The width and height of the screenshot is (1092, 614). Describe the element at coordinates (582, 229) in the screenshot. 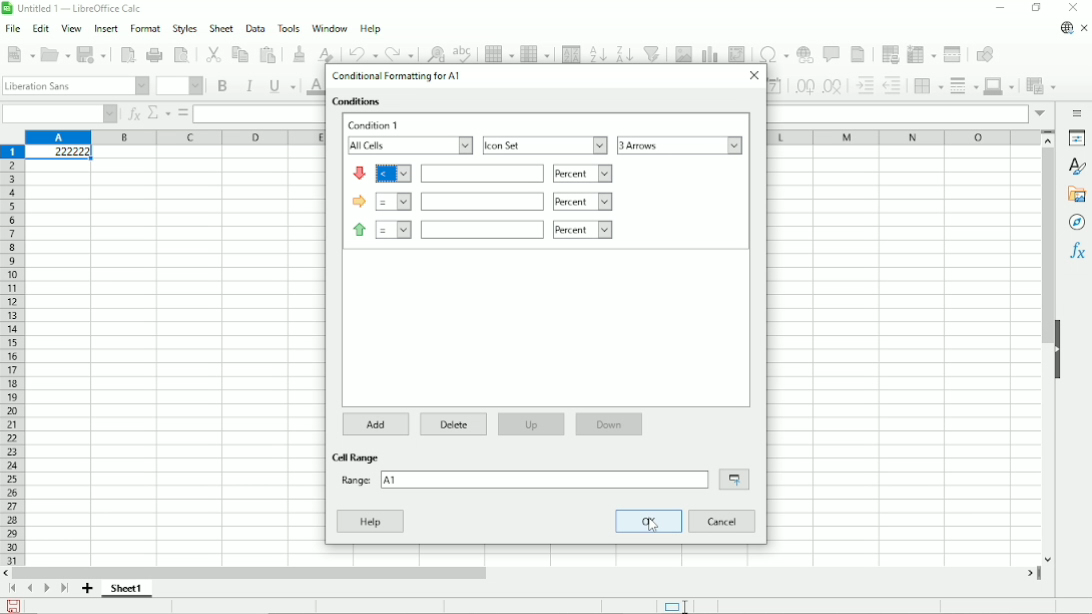

I see `percent` at that location.